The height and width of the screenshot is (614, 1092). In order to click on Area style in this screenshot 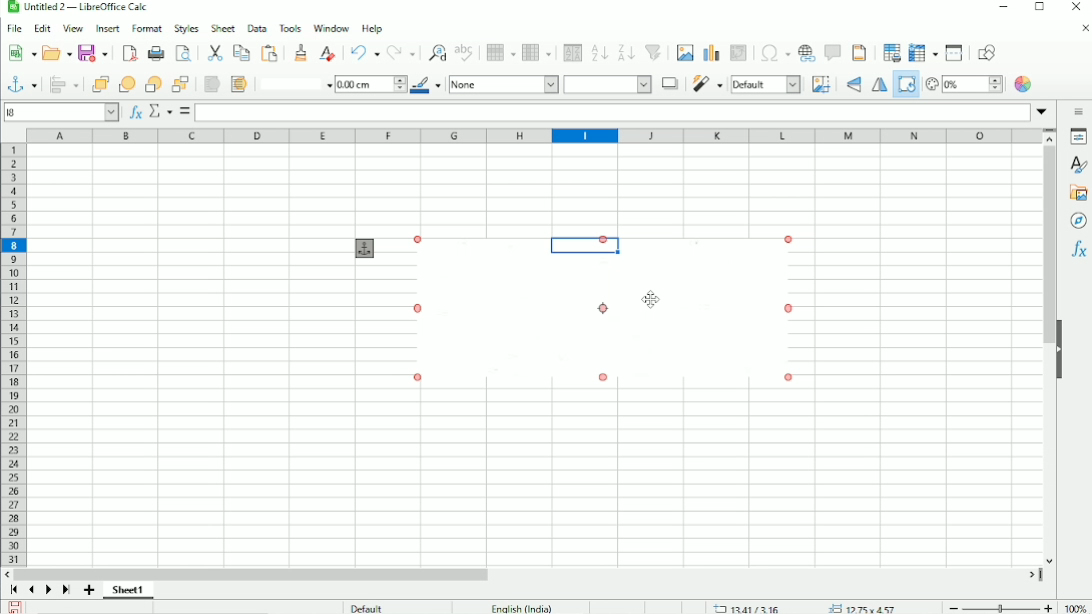, I will do `click(608, 84)`.